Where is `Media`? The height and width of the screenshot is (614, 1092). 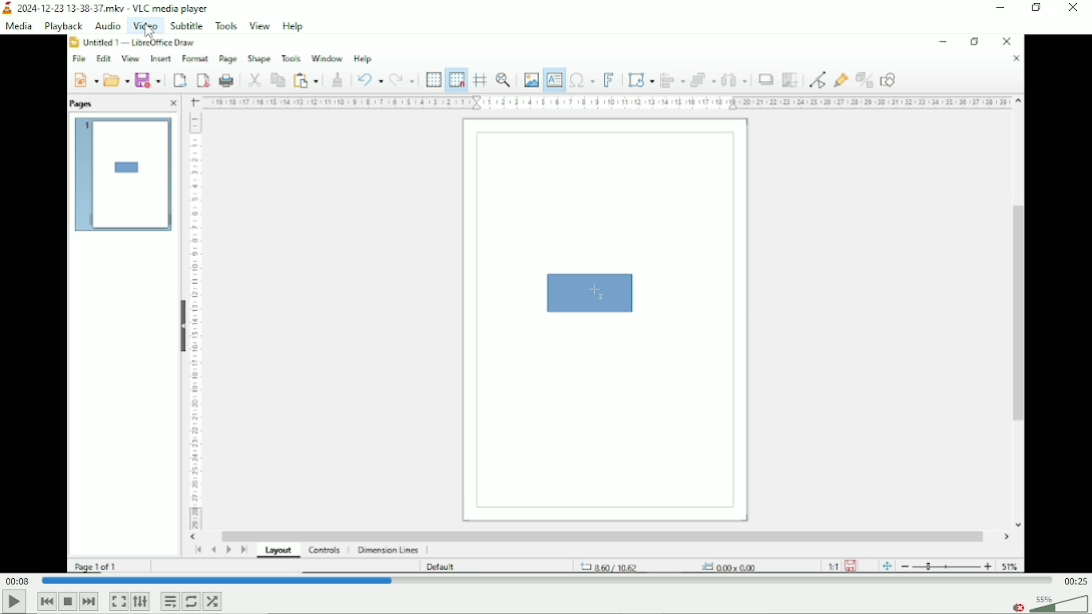
Media is located at coordinates (18, 25).